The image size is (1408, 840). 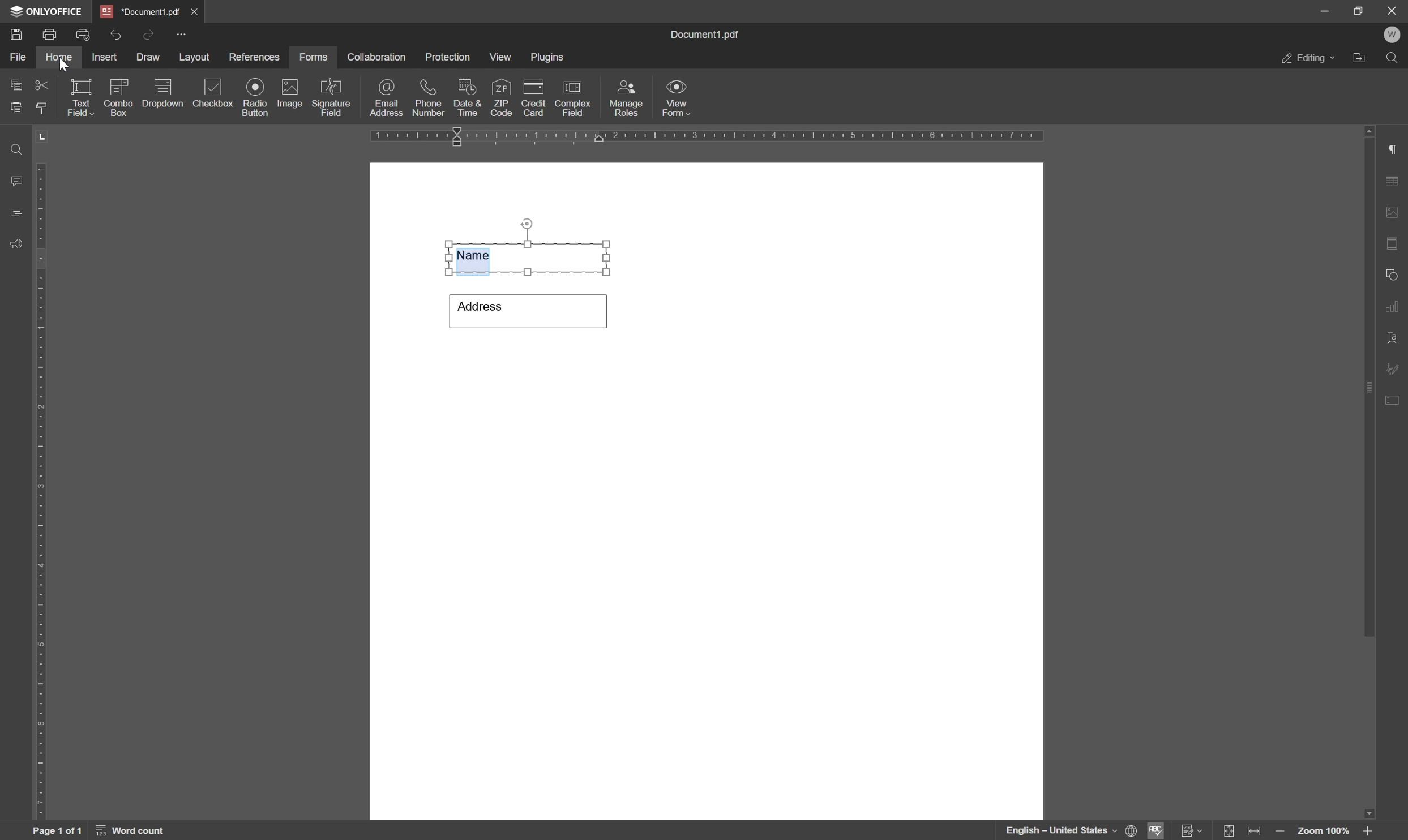 I want to click on chart settings, so click(x=1396, y=309).